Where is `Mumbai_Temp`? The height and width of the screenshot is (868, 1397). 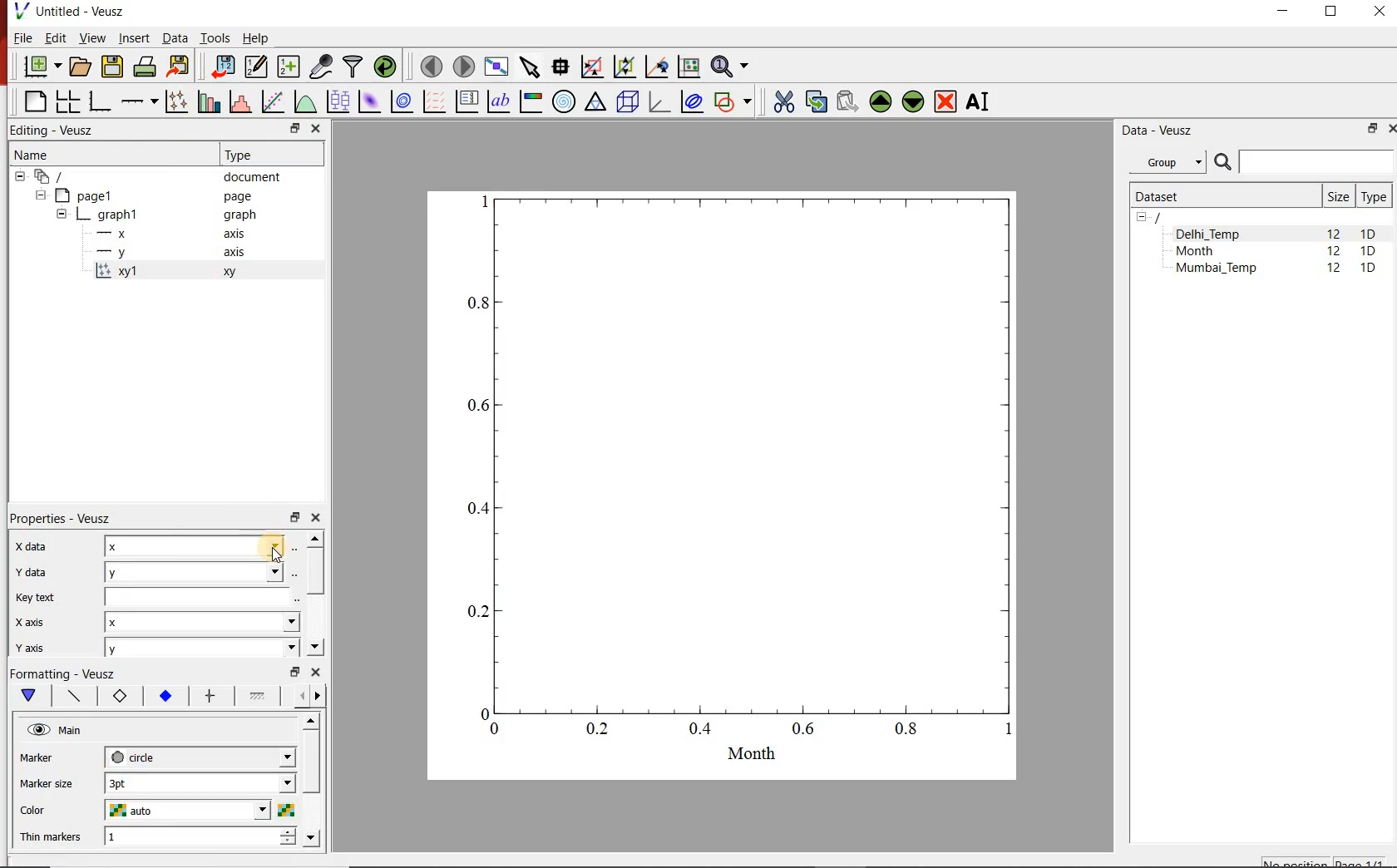
Mumbai_Temp is located at coordinates (1216, 269).